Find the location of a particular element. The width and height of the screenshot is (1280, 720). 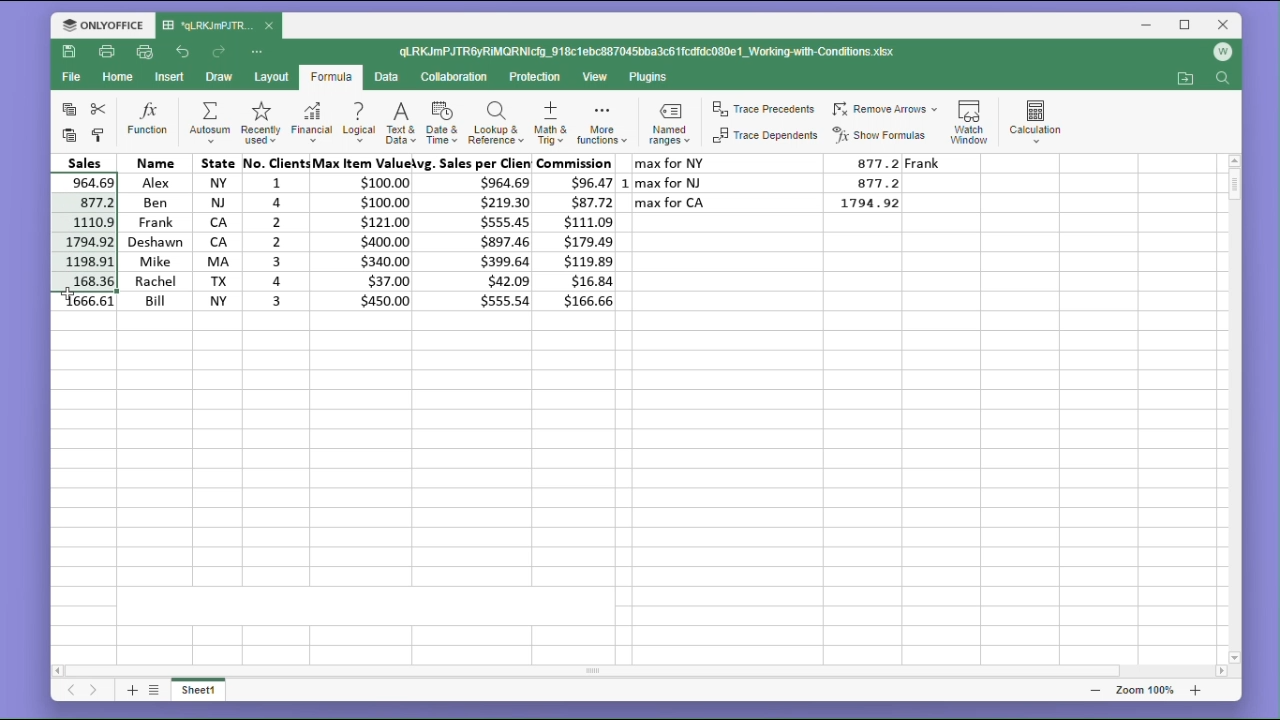

avg.sales per clients is located at coordinates (477, 235).